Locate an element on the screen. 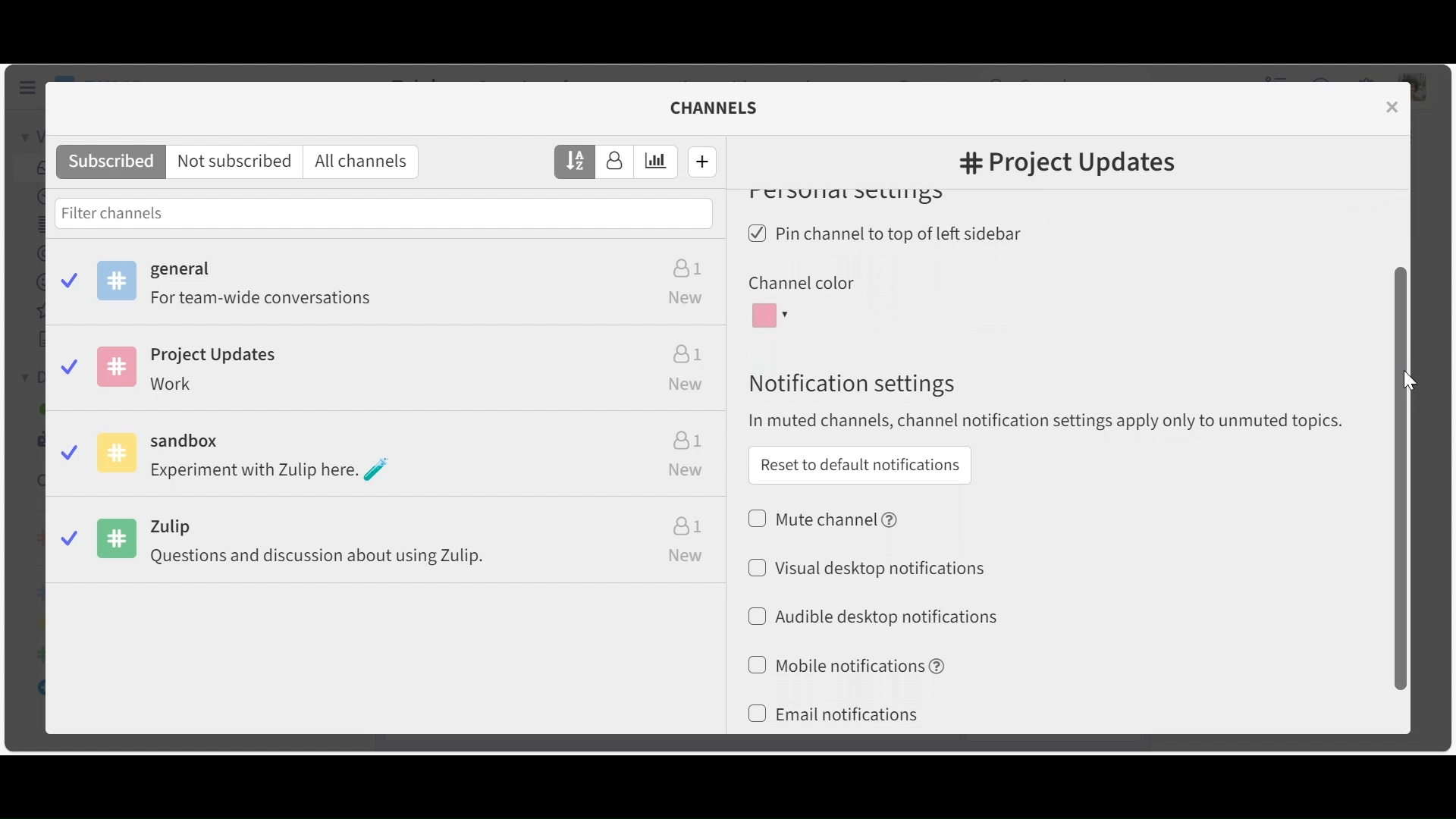 The width and height of the screenshot is (1456, 819). (un)select Email notifications is located at coordinates (833, 715).